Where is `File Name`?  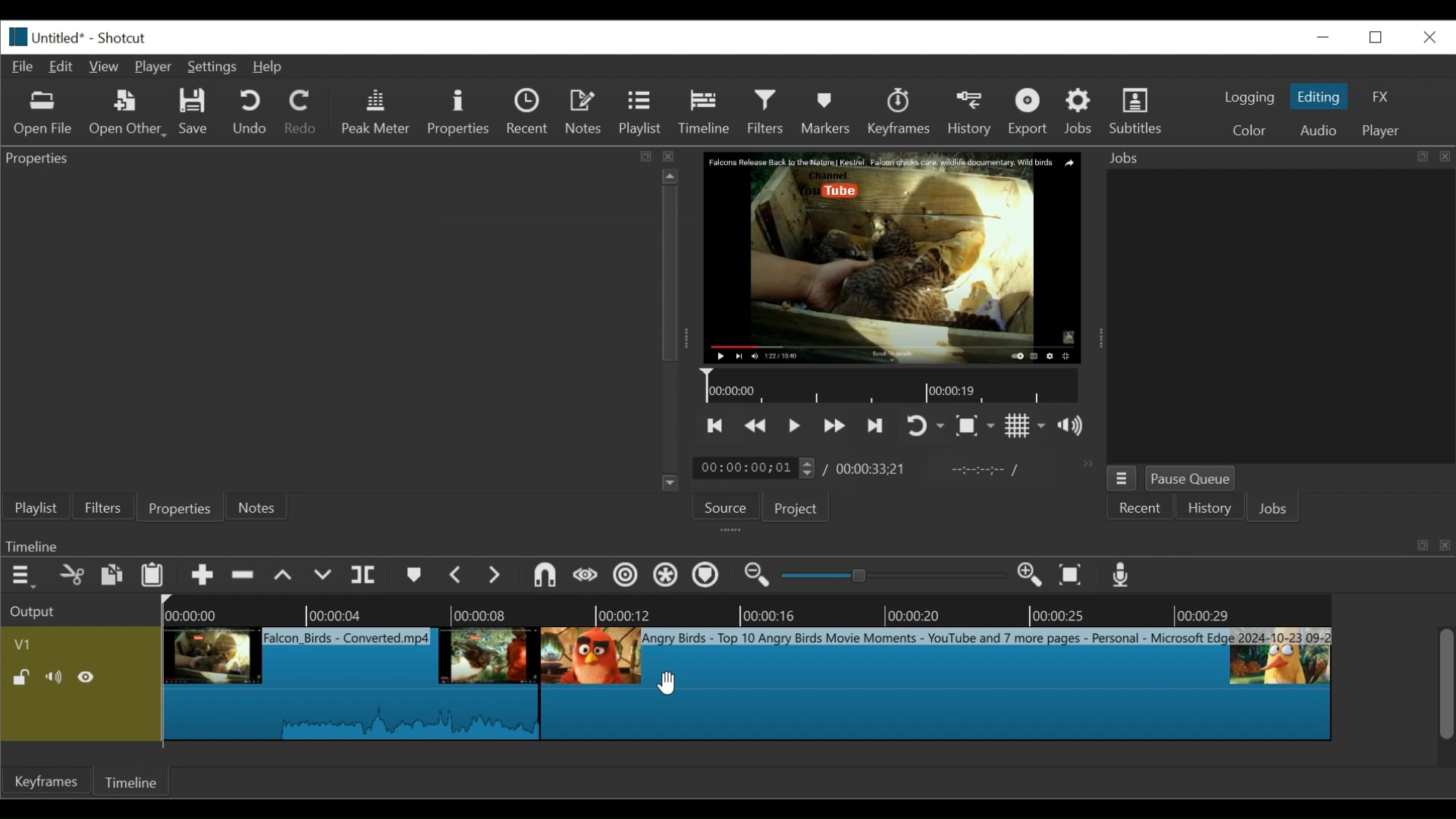 File Name is located at coordinates (63, 36).